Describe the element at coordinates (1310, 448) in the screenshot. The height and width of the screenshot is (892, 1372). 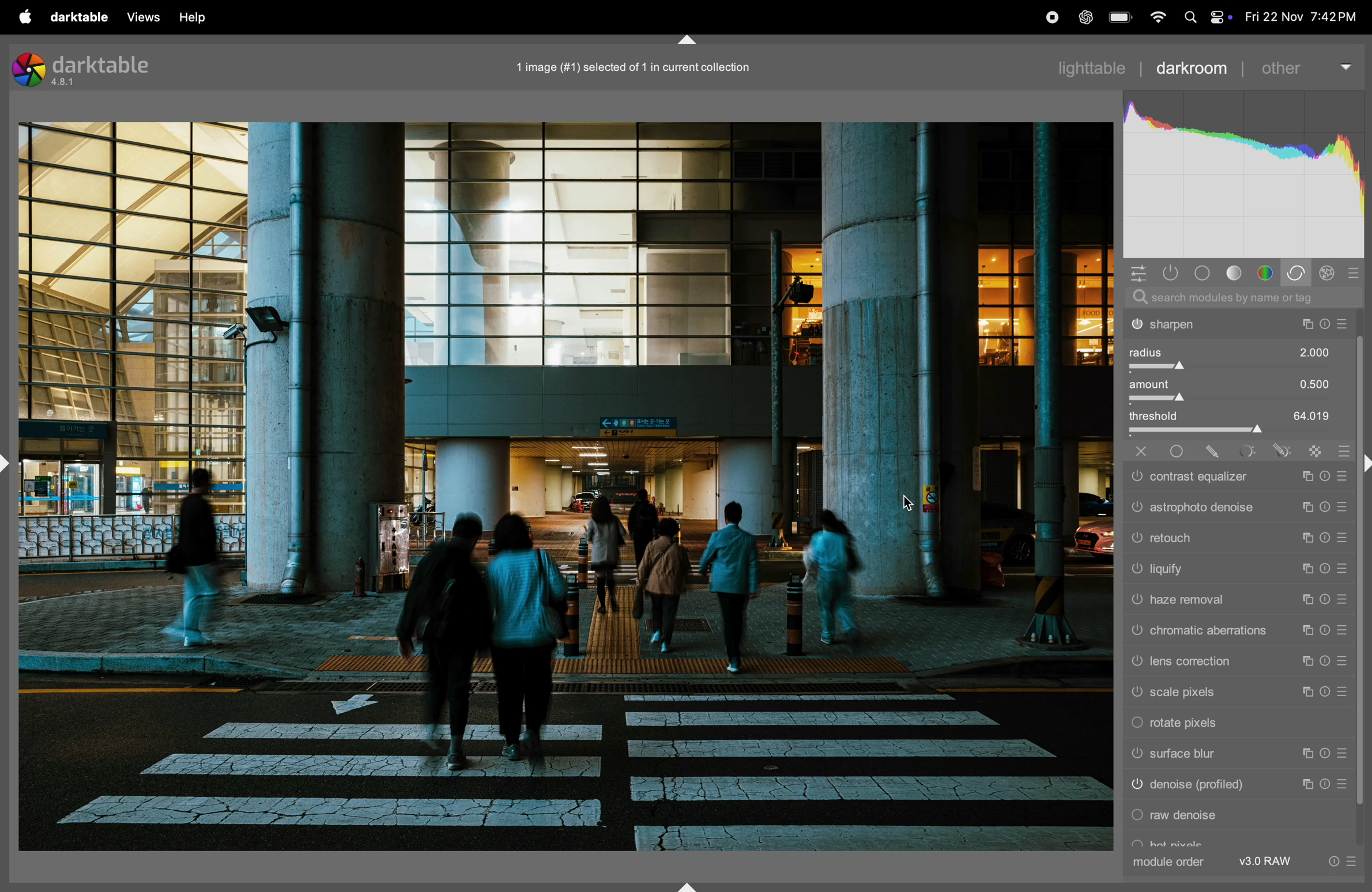
I see `rastter mask` at that location.